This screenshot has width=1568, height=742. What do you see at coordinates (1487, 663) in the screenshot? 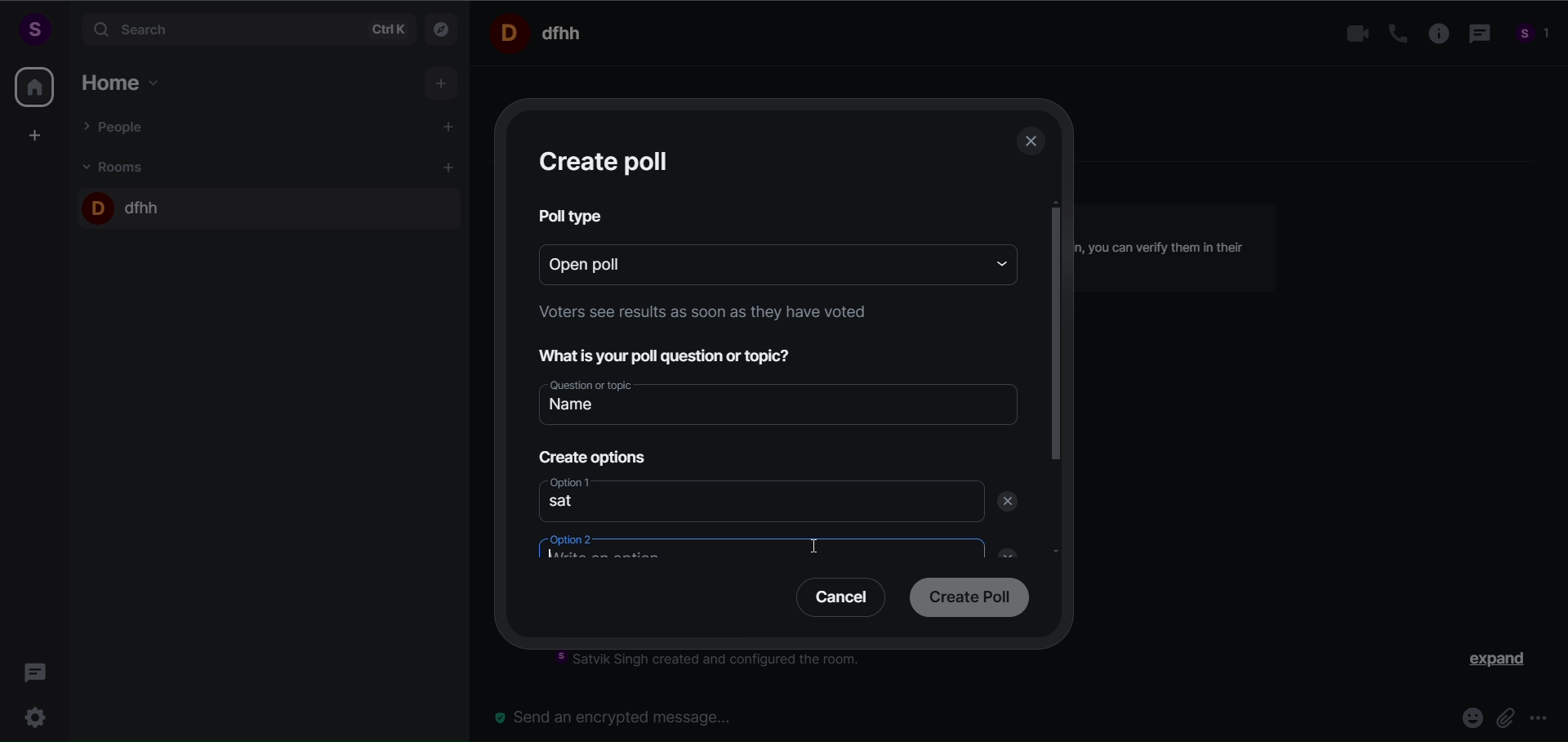
I see `Expand` at bounding box center [1487, 663].